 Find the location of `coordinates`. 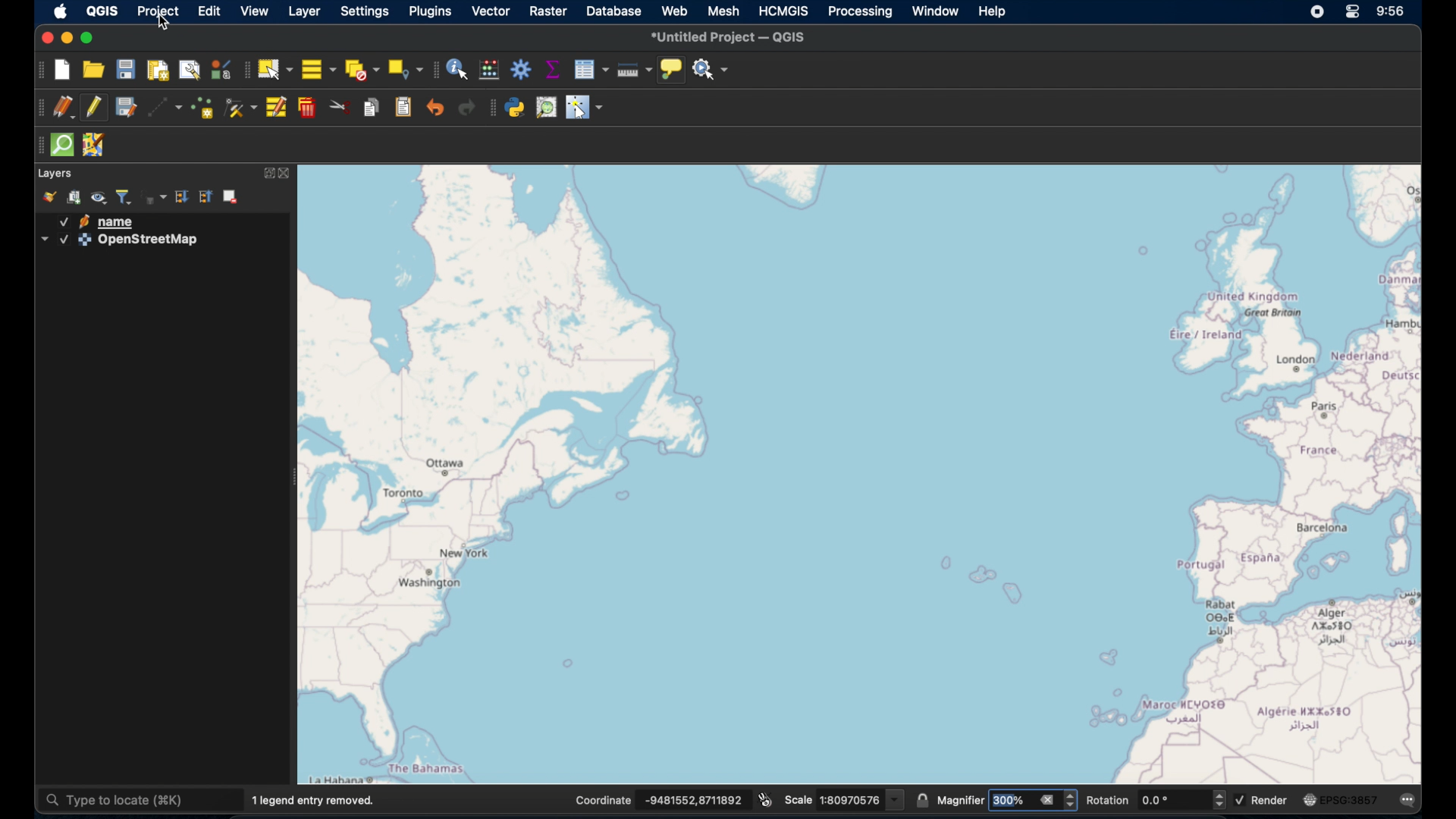

coordinates is located at coordinates (662, 801).